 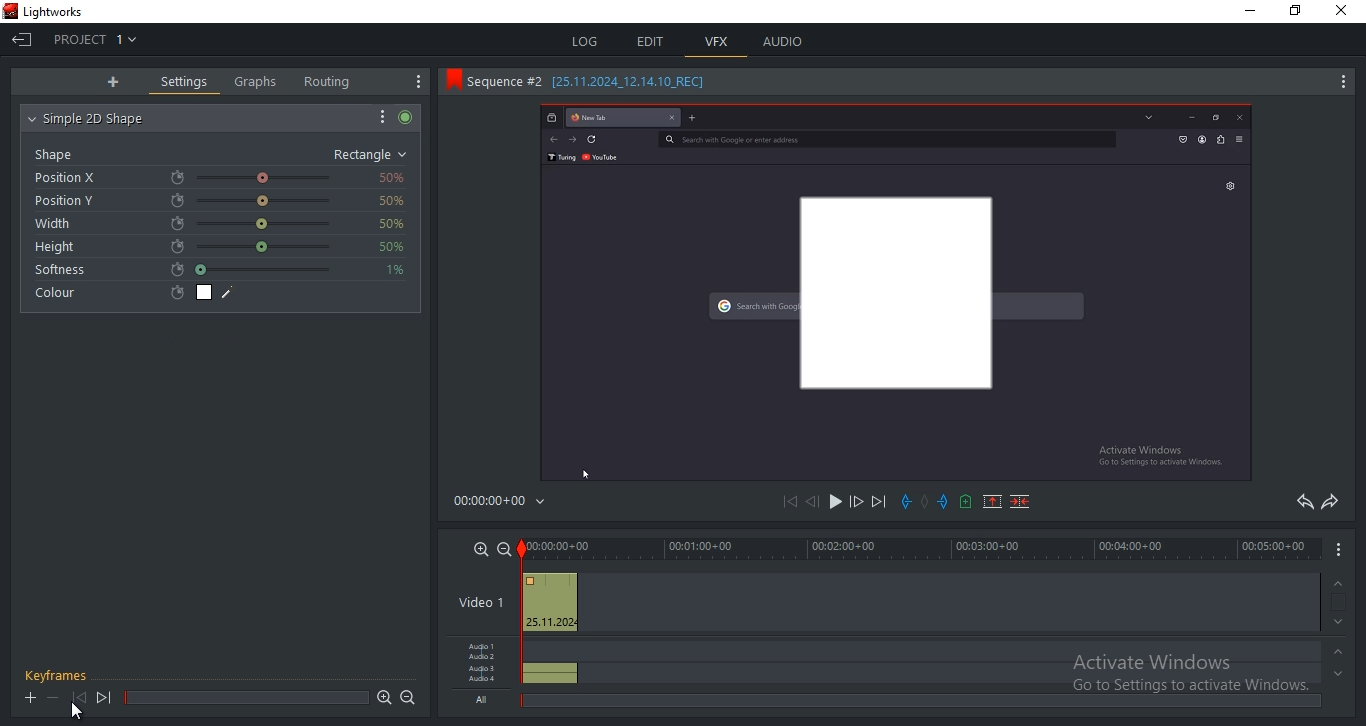 I want to click on app title, so click(x=51, y=12).